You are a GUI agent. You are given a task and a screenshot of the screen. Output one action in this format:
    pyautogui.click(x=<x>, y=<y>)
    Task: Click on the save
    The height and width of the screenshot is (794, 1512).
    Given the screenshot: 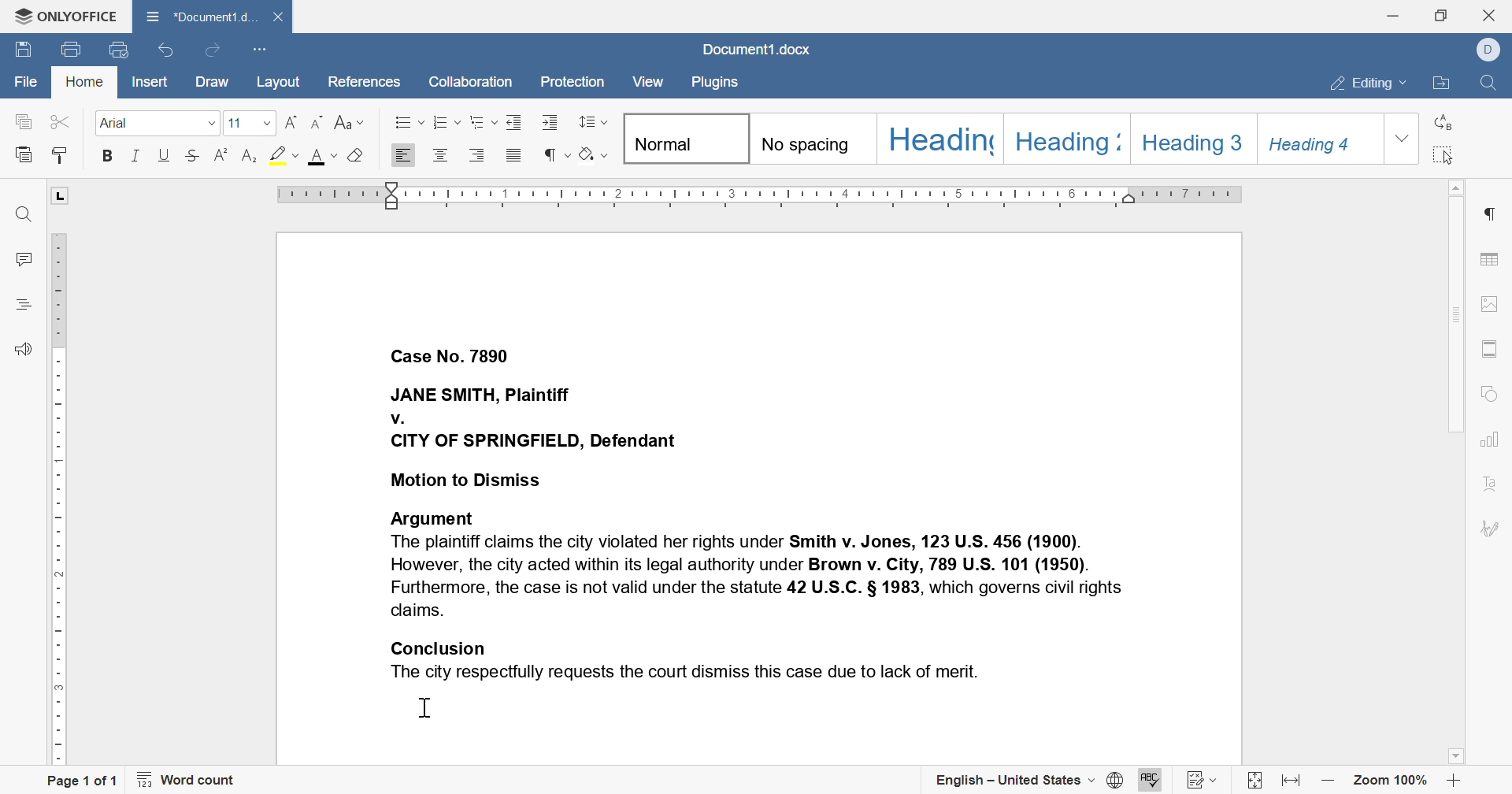 What is the action you would take?
    pyautogui.click(x=23, y=48)
    